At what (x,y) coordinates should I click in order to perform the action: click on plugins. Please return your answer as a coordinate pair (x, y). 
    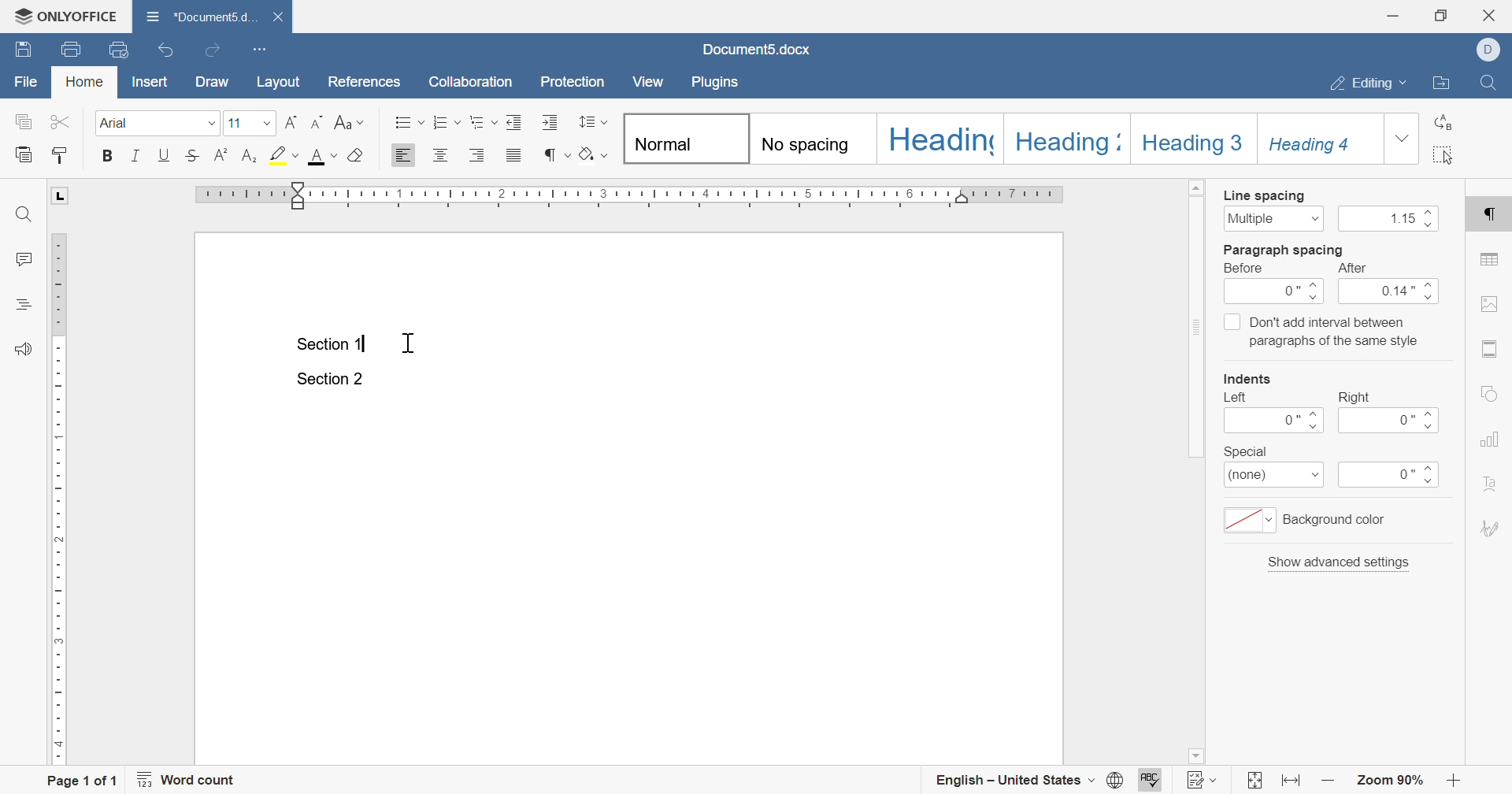
    Looking at the image, I should click on (714, 82).